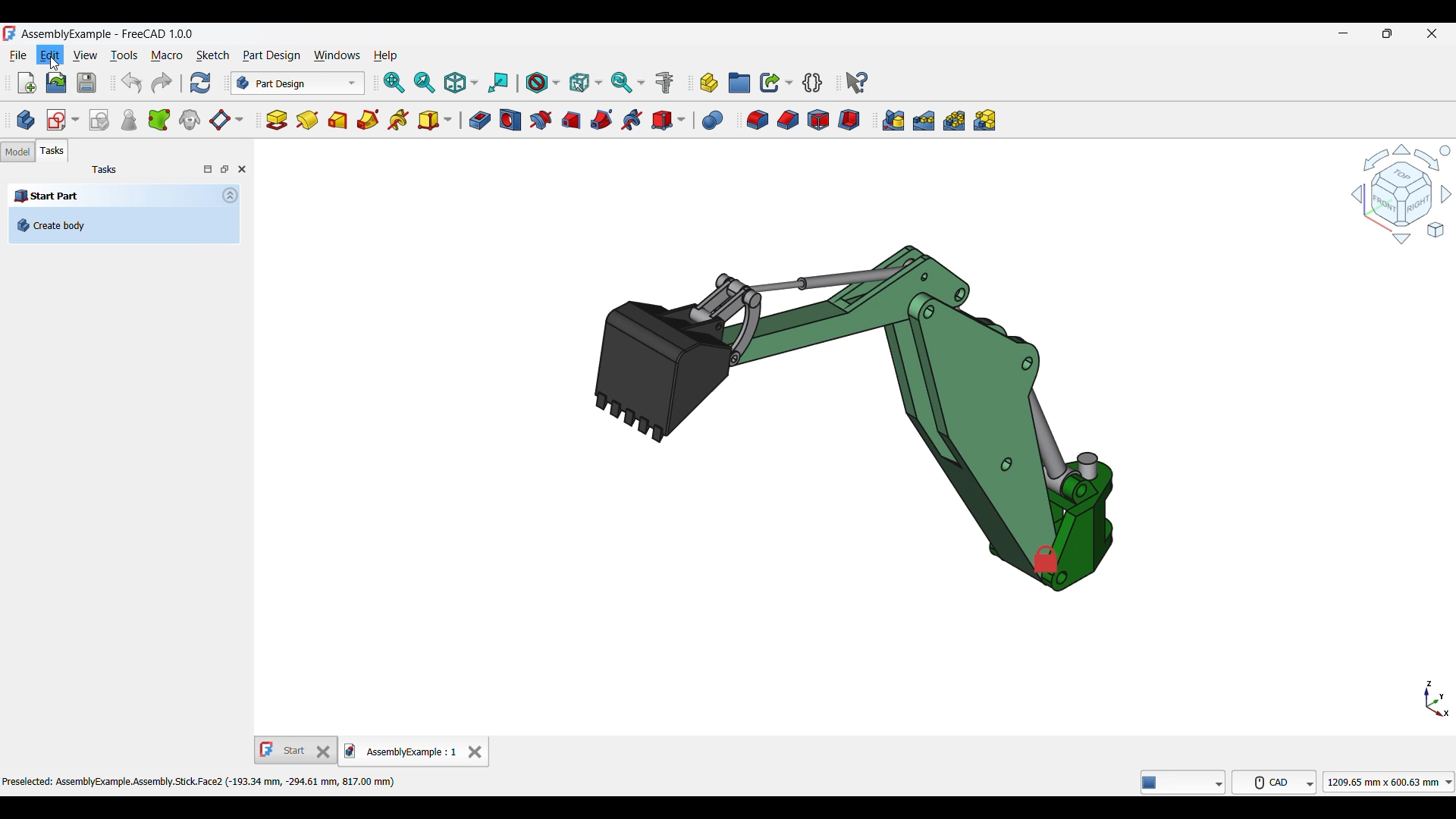 The width and height of the screenshot is (1456, 819). I want to click on Additive helix, so click(398, 120).